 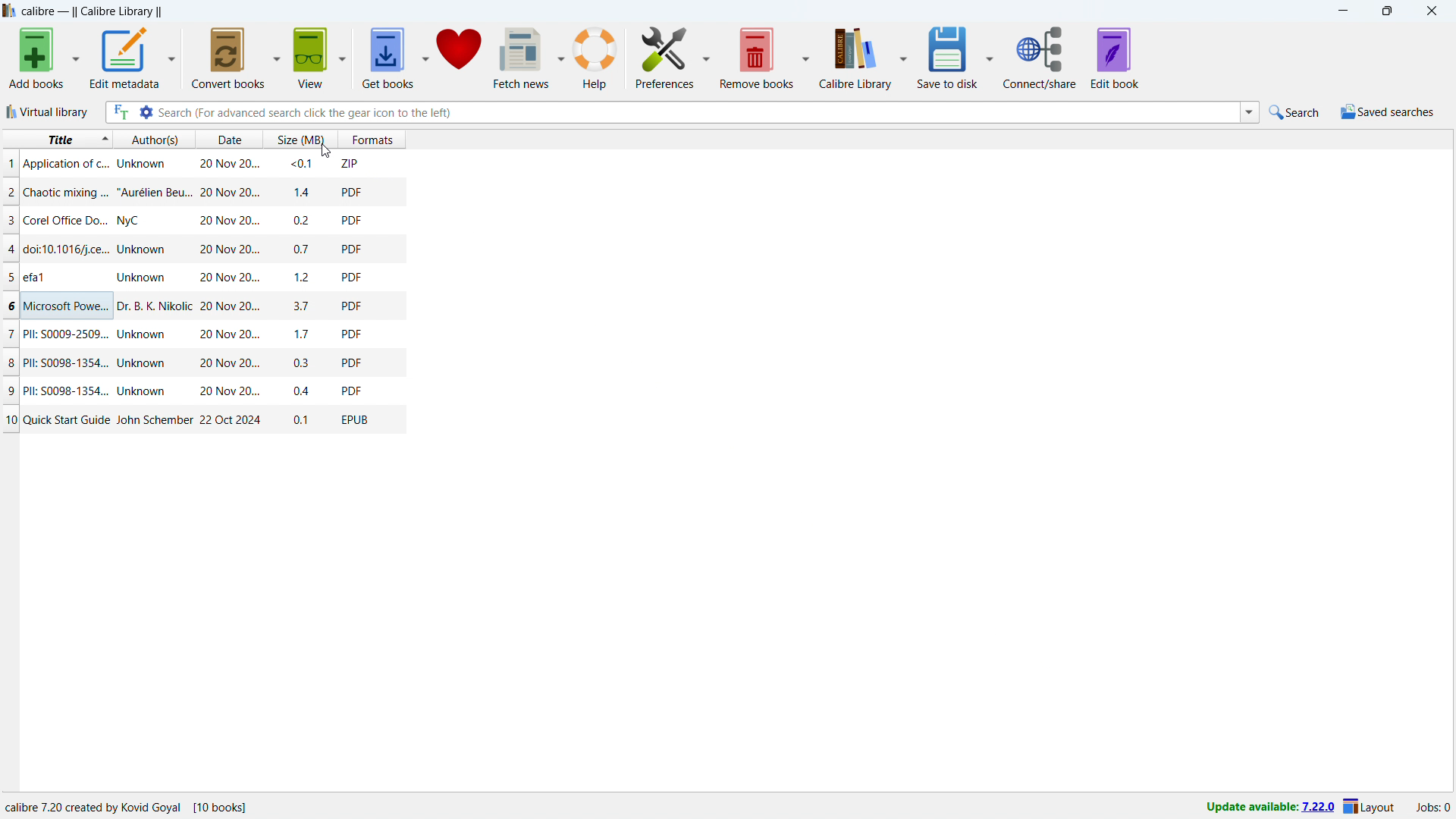 I want to click on PDF, so click(x=352, y=277).